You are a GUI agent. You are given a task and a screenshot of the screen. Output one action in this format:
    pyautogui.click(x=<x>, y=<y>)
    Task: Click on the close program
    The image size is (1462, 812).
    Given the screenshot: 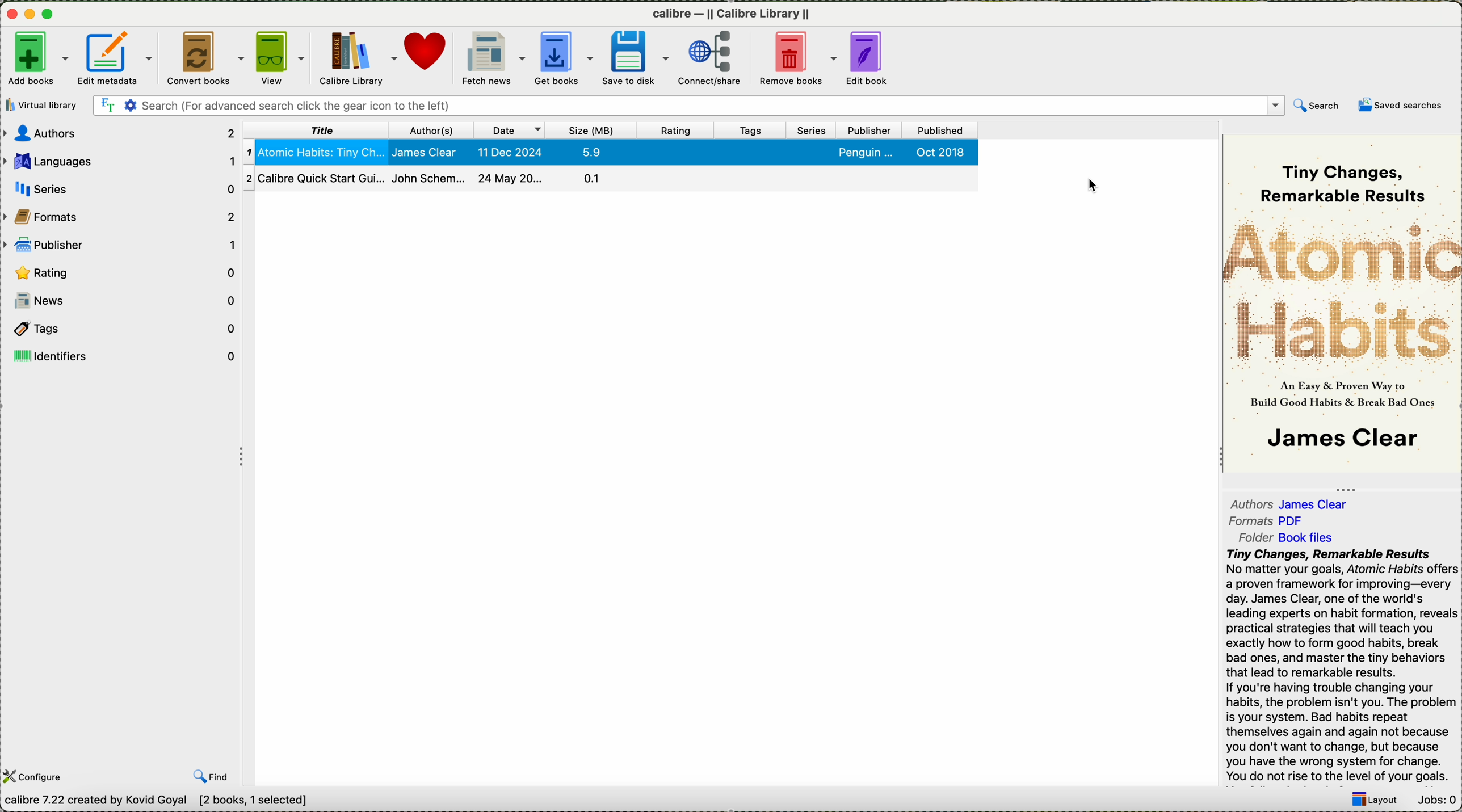 What is the action you would take?
    pyautogui.click(x=11, y=14)
    